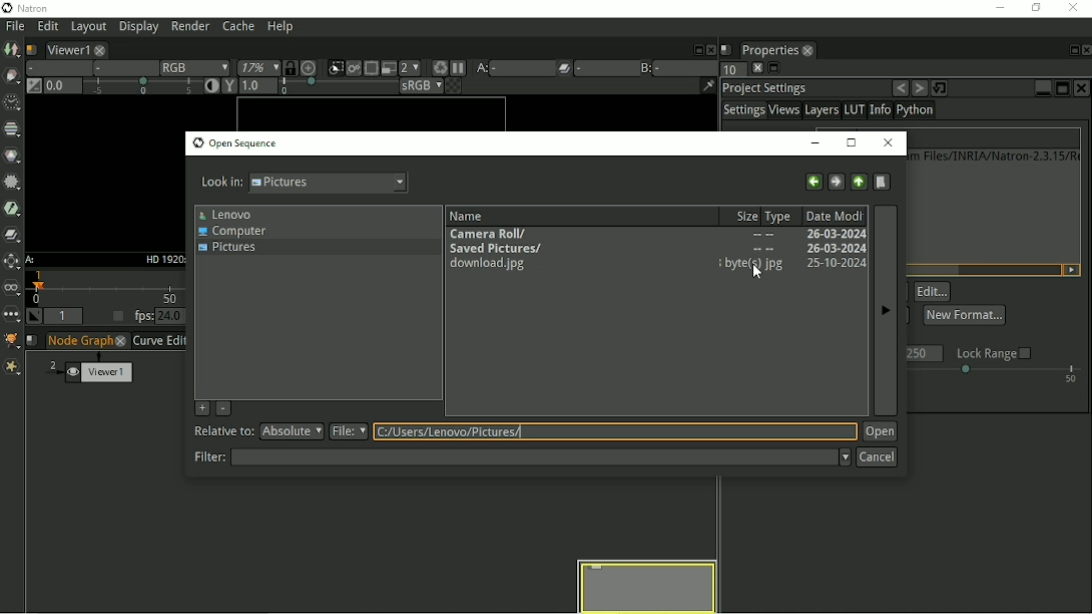  Describe the element at coordinates (88, 27) in the screenshot. I see `Layout` at that location.